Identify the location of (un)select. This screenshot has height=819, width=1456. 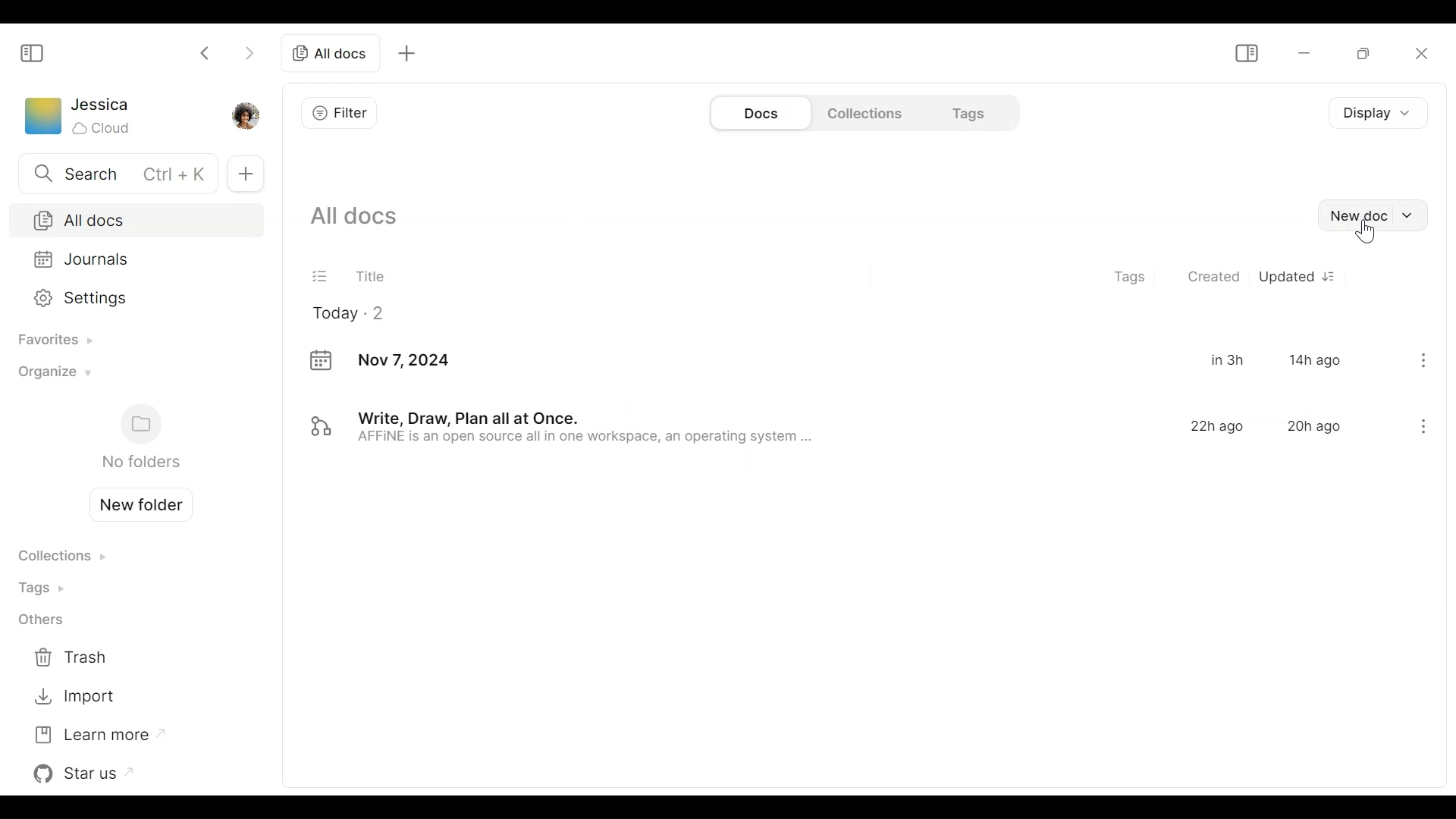
(322, 277).